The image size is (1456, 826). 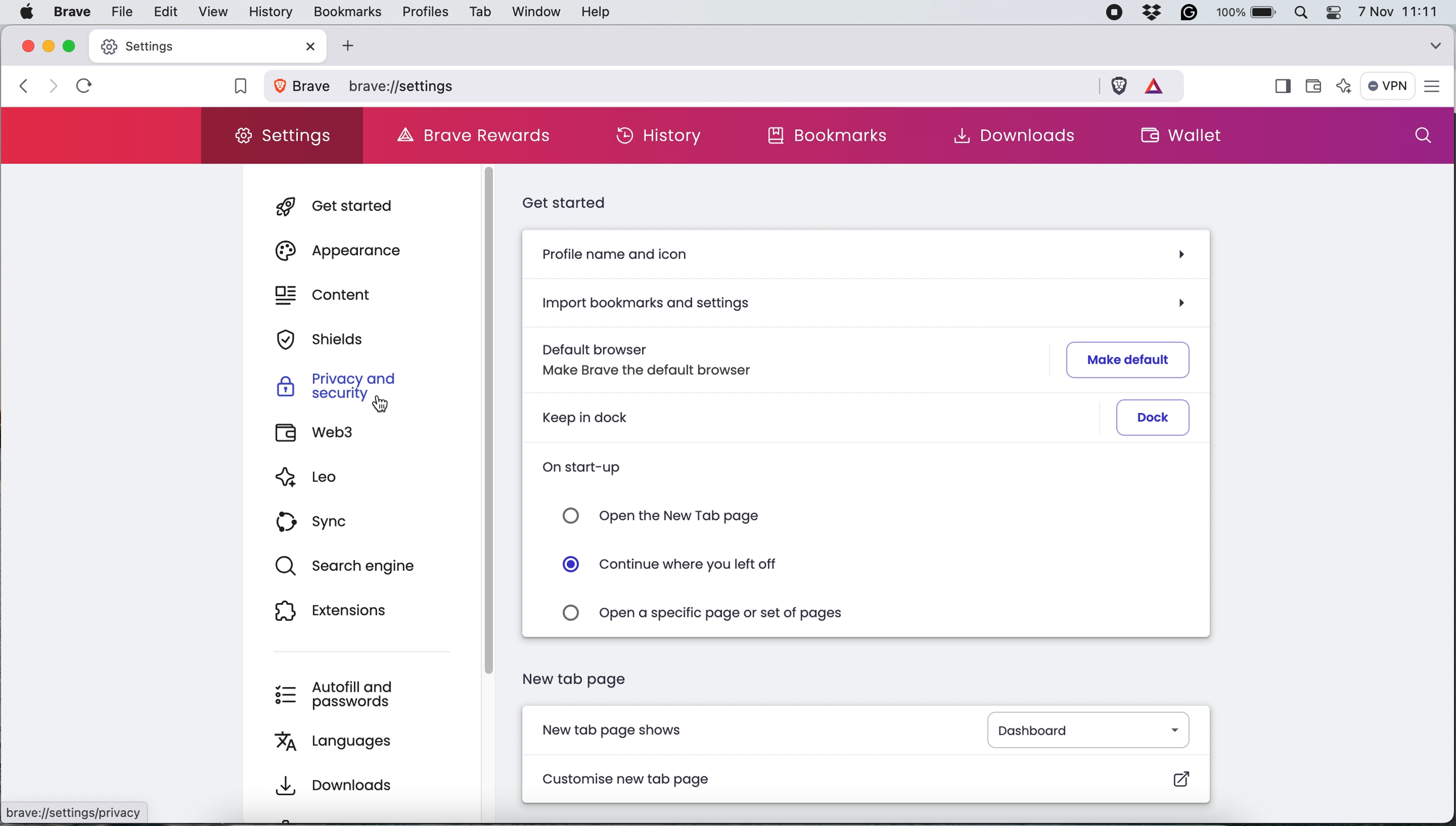 I want to click on add new tab, so click(x=345, y=46).